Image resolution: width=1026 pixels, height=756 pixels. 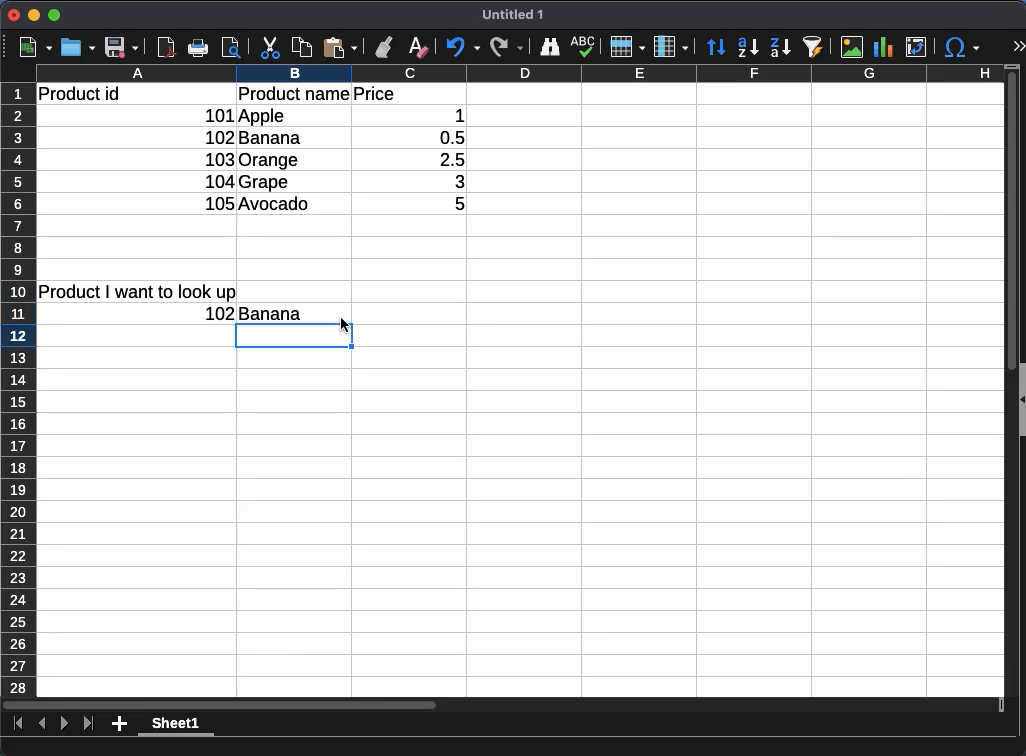 I want to click on 103, so click(x=218, y=159).